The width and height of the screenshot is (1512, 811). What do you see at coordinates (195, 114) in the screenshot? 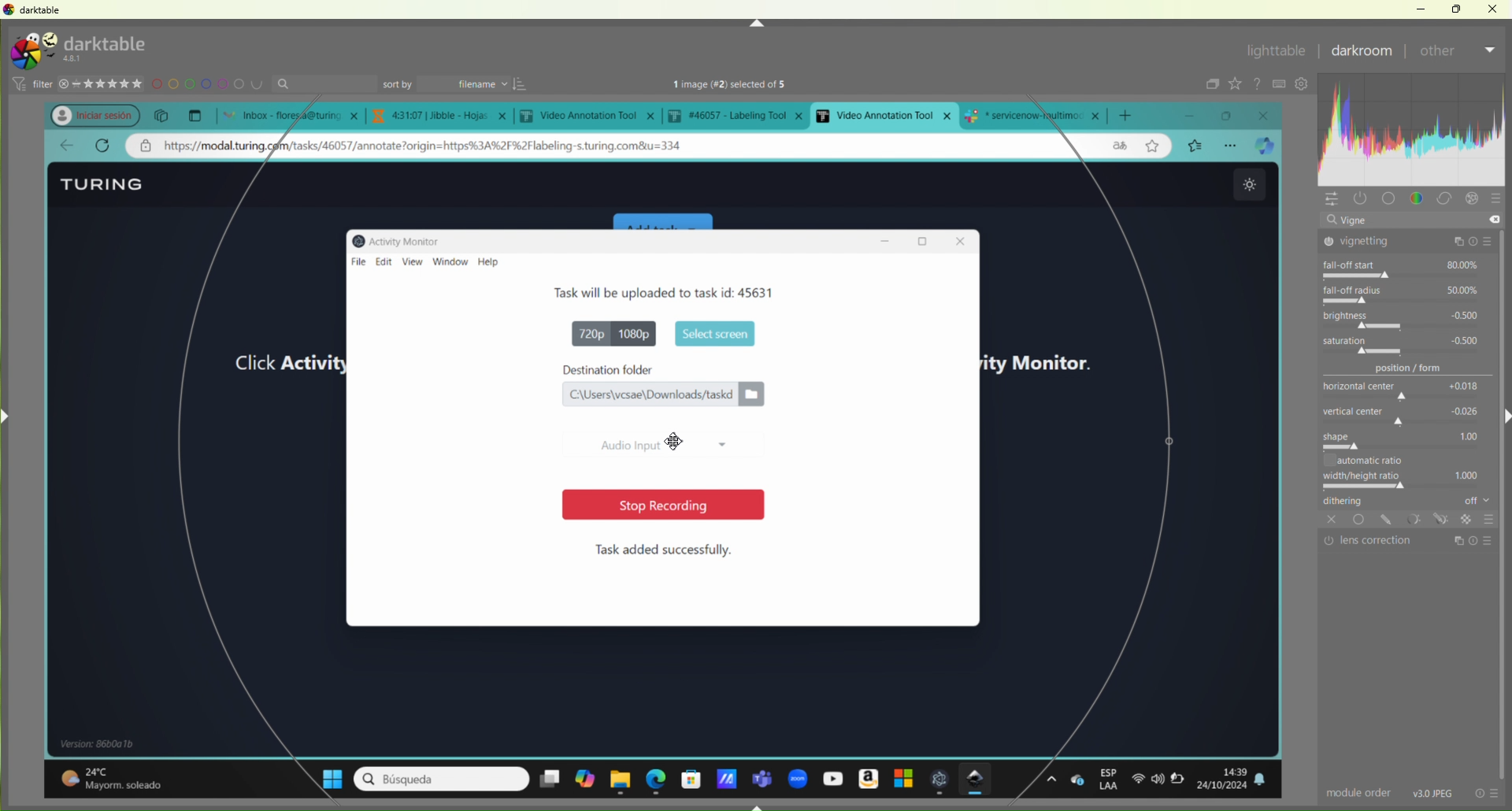
I see `New tab` at bounding box center [195, 114].